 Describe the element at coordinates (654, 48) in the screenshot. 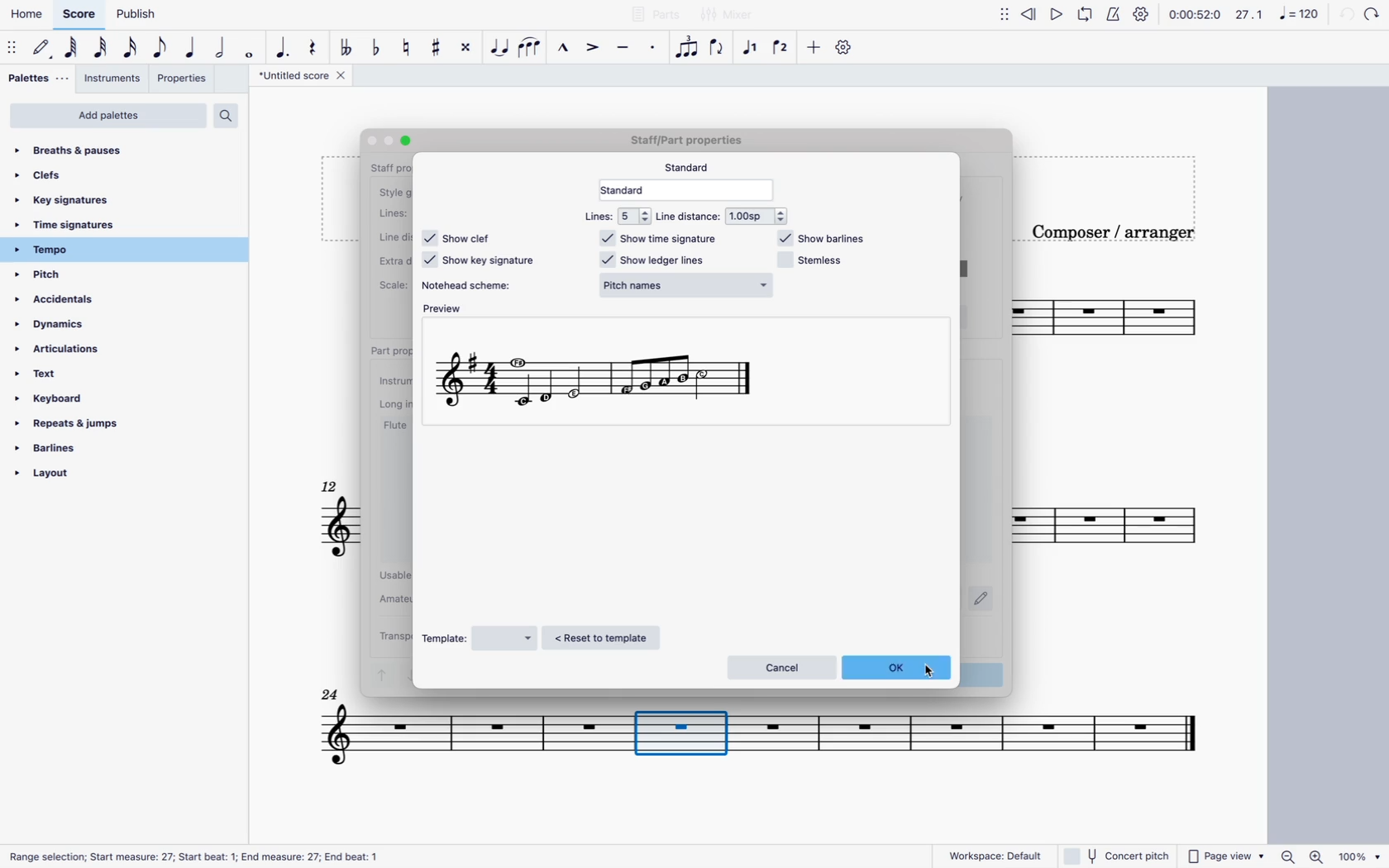

I see `staccato` at that location.